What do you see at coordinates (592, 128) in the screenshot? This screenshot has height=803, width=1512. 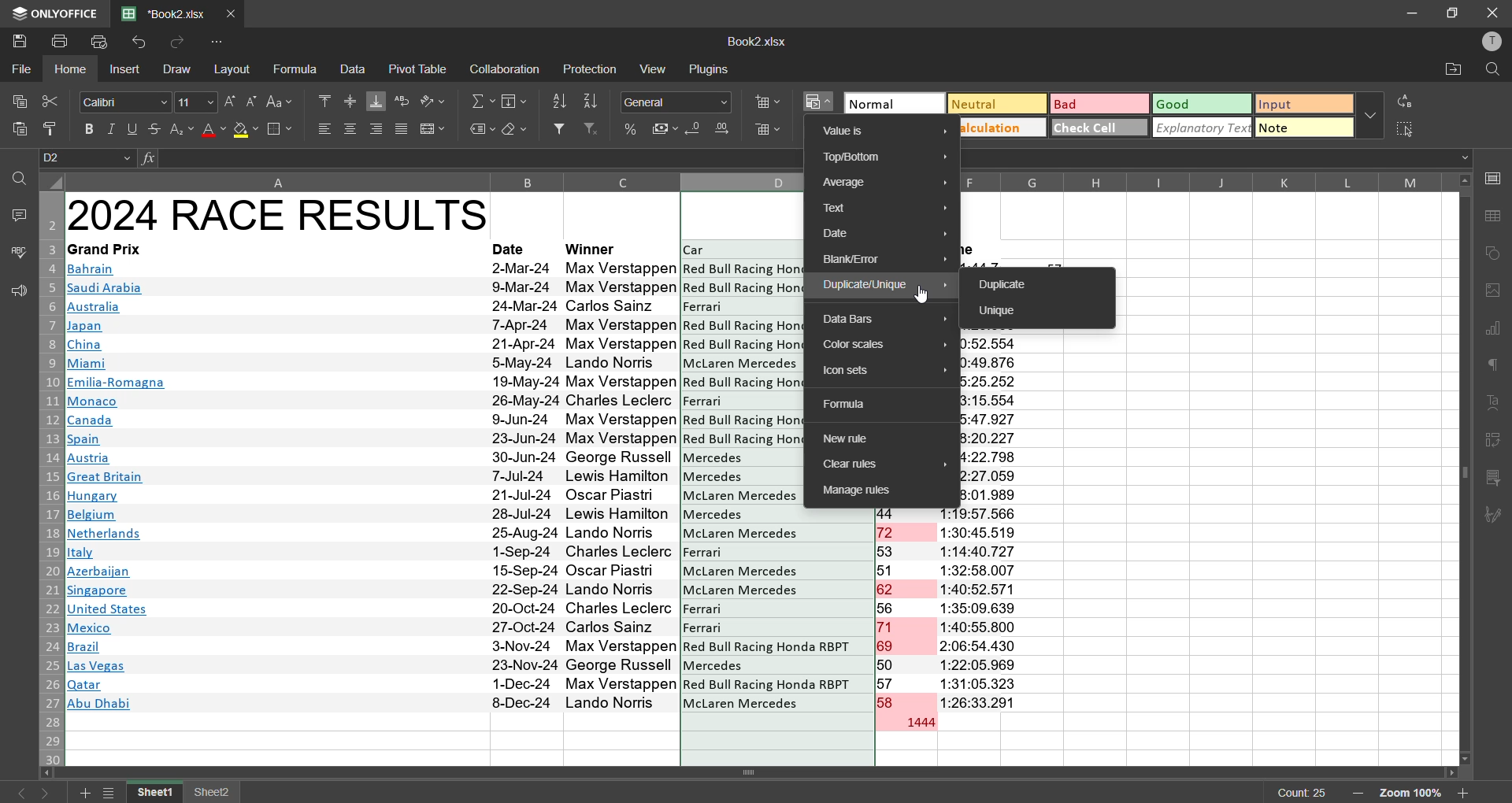 I see `clear filter` at bounding box center [592, 128].